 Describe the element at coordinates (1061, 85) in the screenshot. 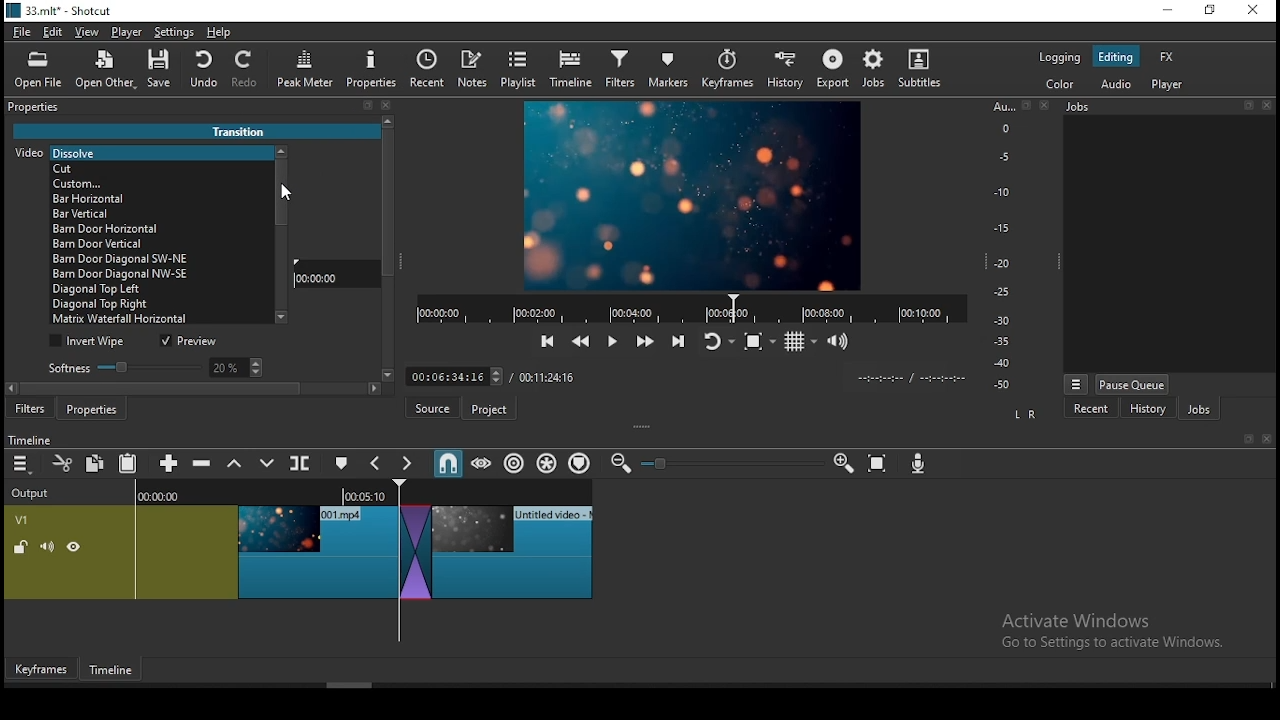

I see `color` at that location.